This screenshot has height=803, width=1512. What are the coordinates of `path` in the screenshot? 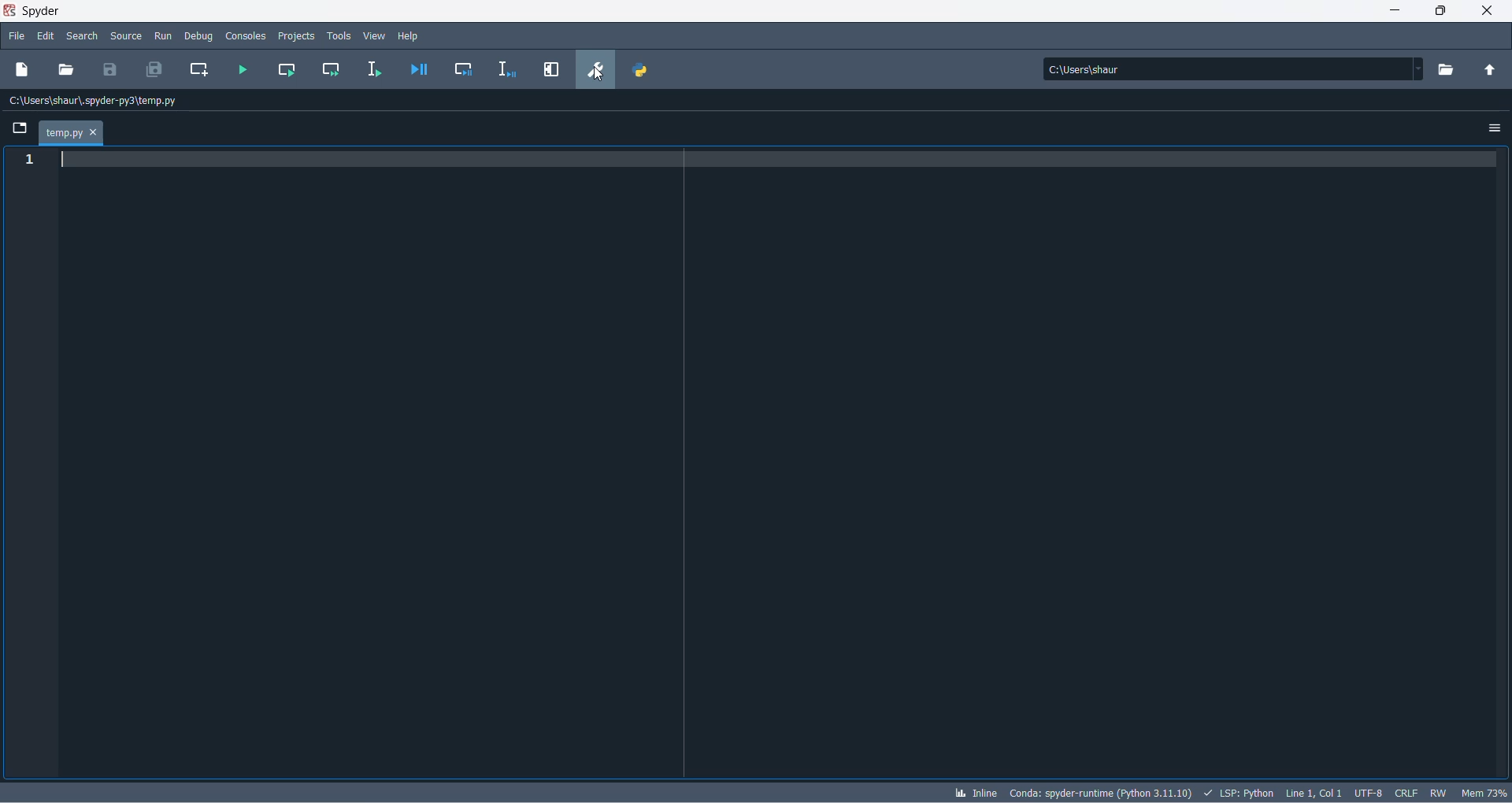 It's located at (1226, 70).